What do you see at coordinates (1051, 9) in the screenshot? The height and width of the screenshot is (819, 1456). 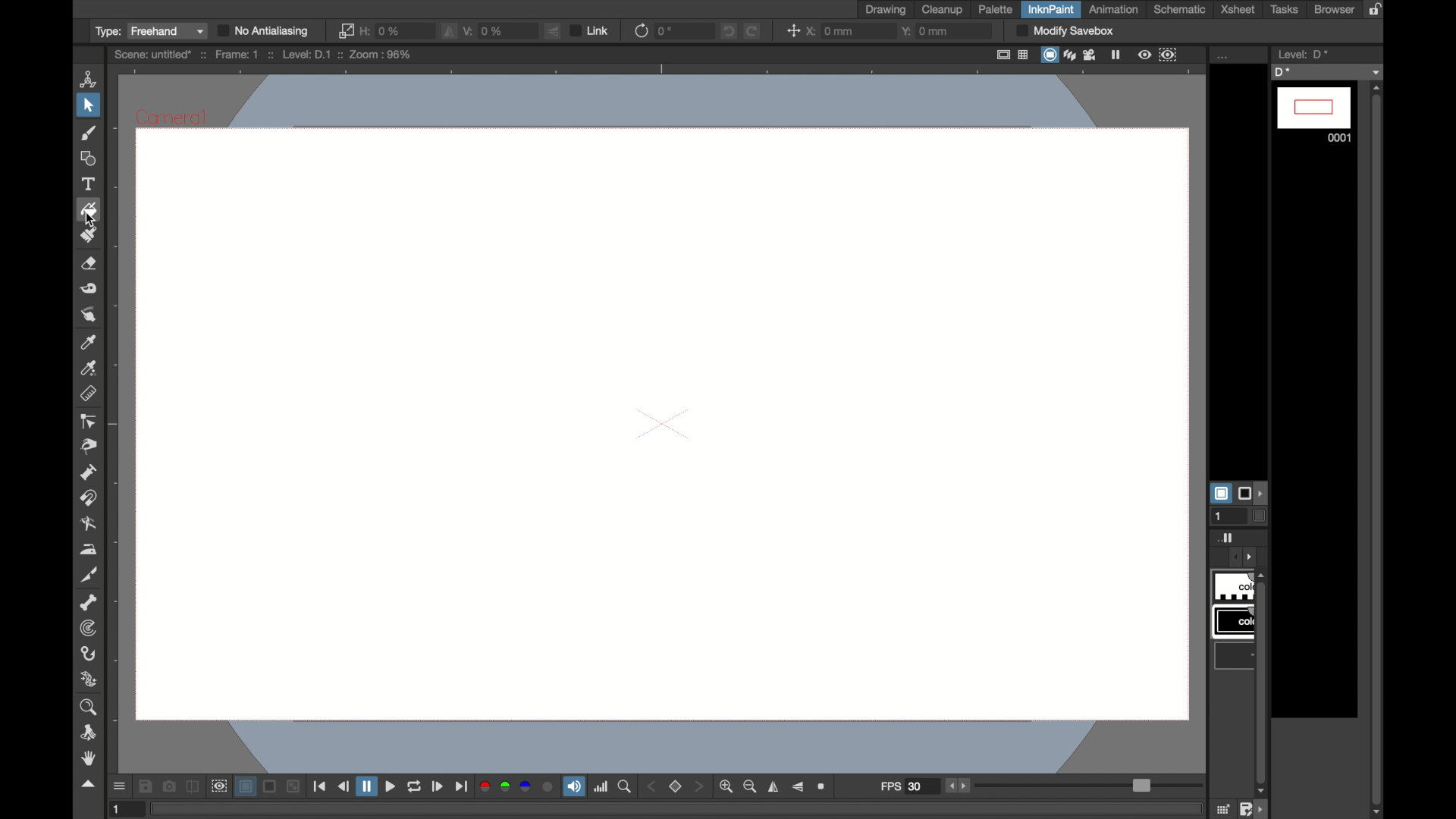 I see `inknpaint` at bounding box center [1051, 9].